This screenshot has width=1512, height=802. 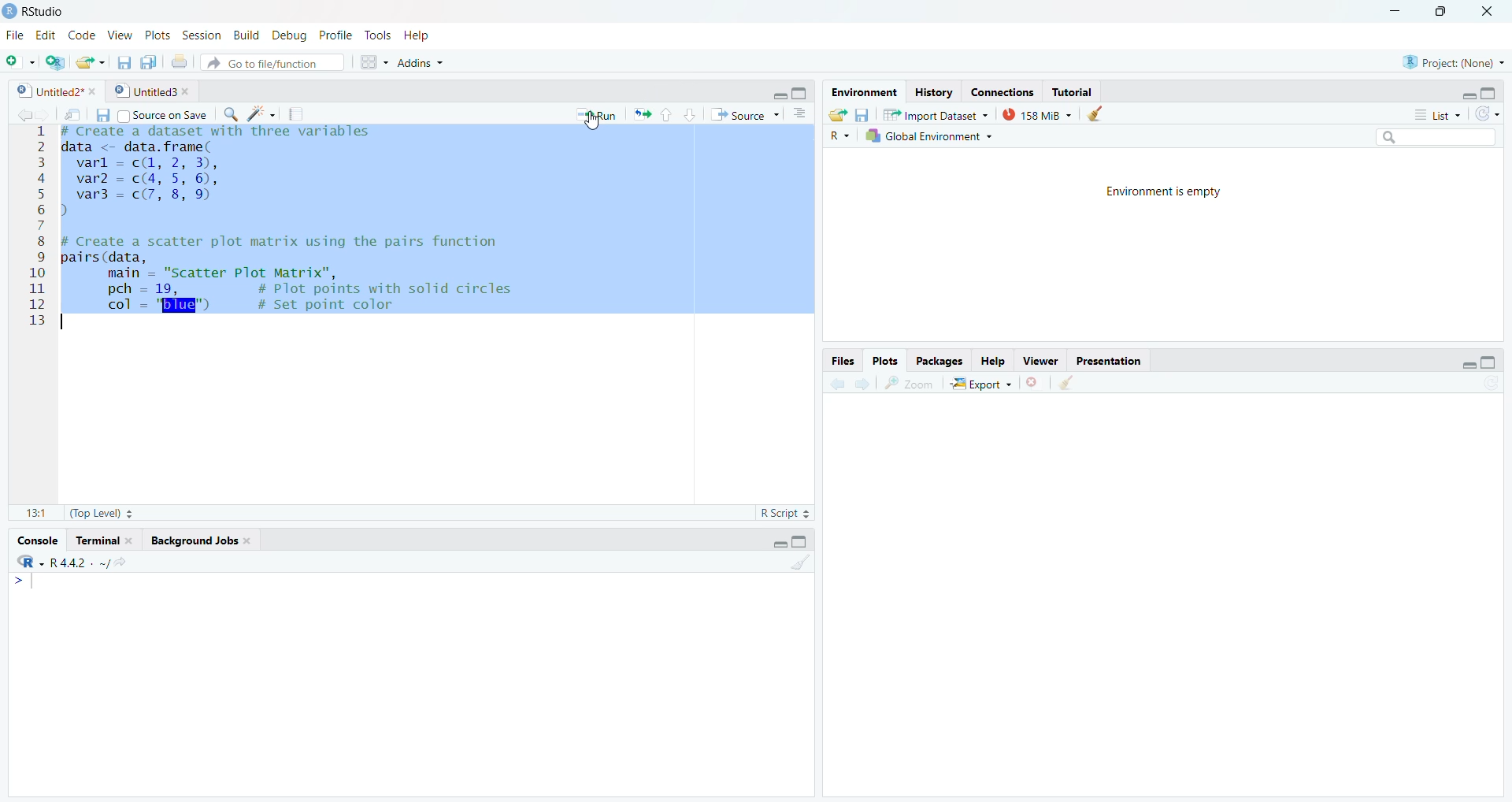 What do you see at coordinates (150, 61) in the screenshot?
I see `Save all open document` at bounding box center [150, 61].